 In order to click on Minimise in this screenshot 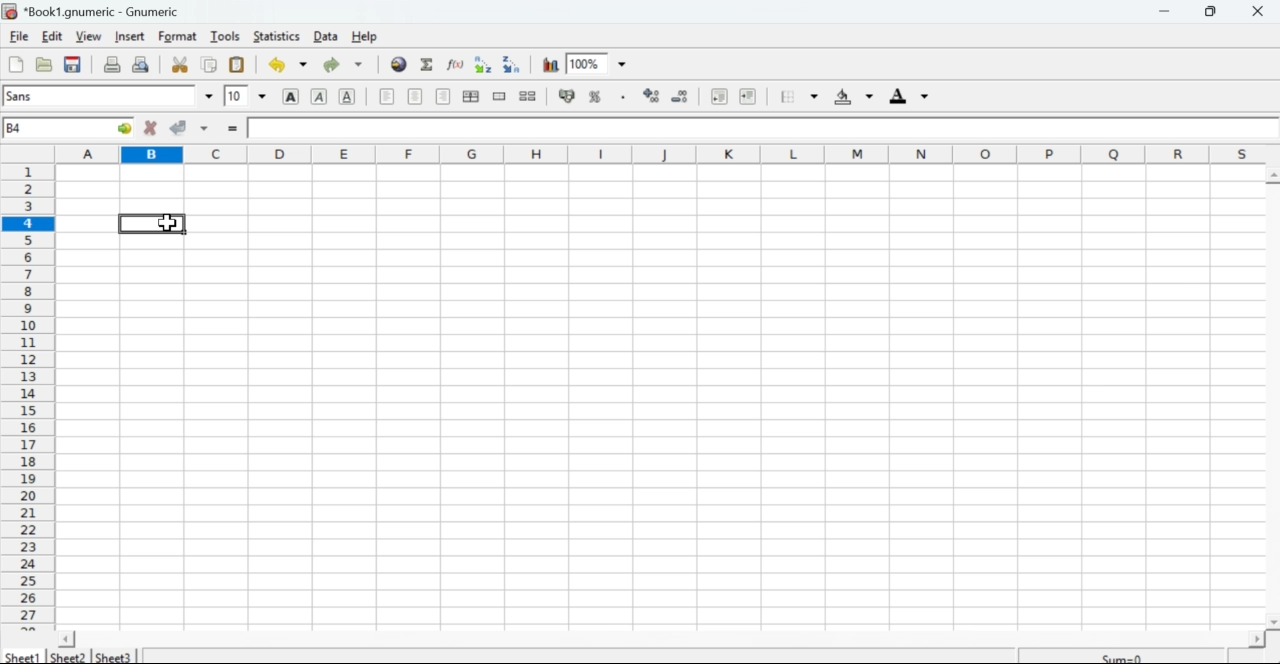, I will do `click(1164, 11)`.